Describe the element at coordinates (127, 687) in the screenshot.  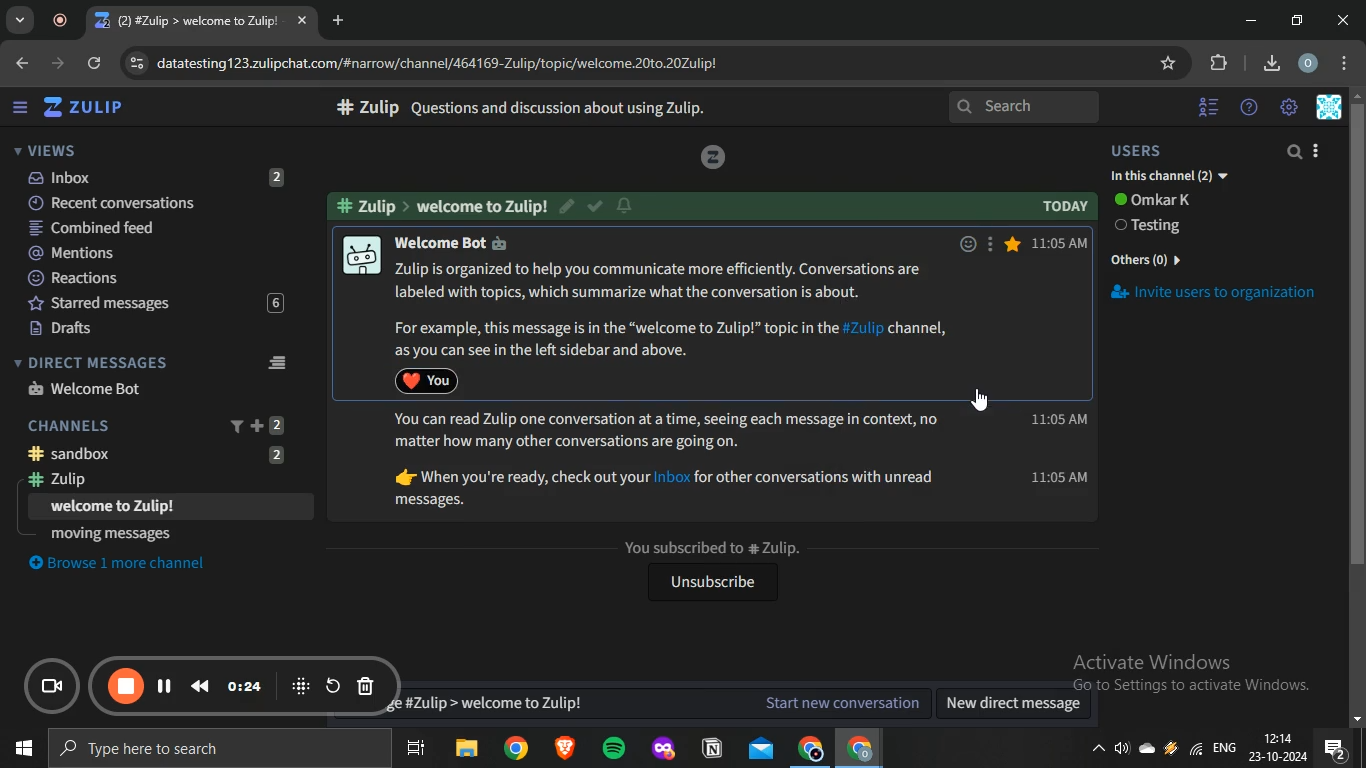
I see `pause recording` at that location.